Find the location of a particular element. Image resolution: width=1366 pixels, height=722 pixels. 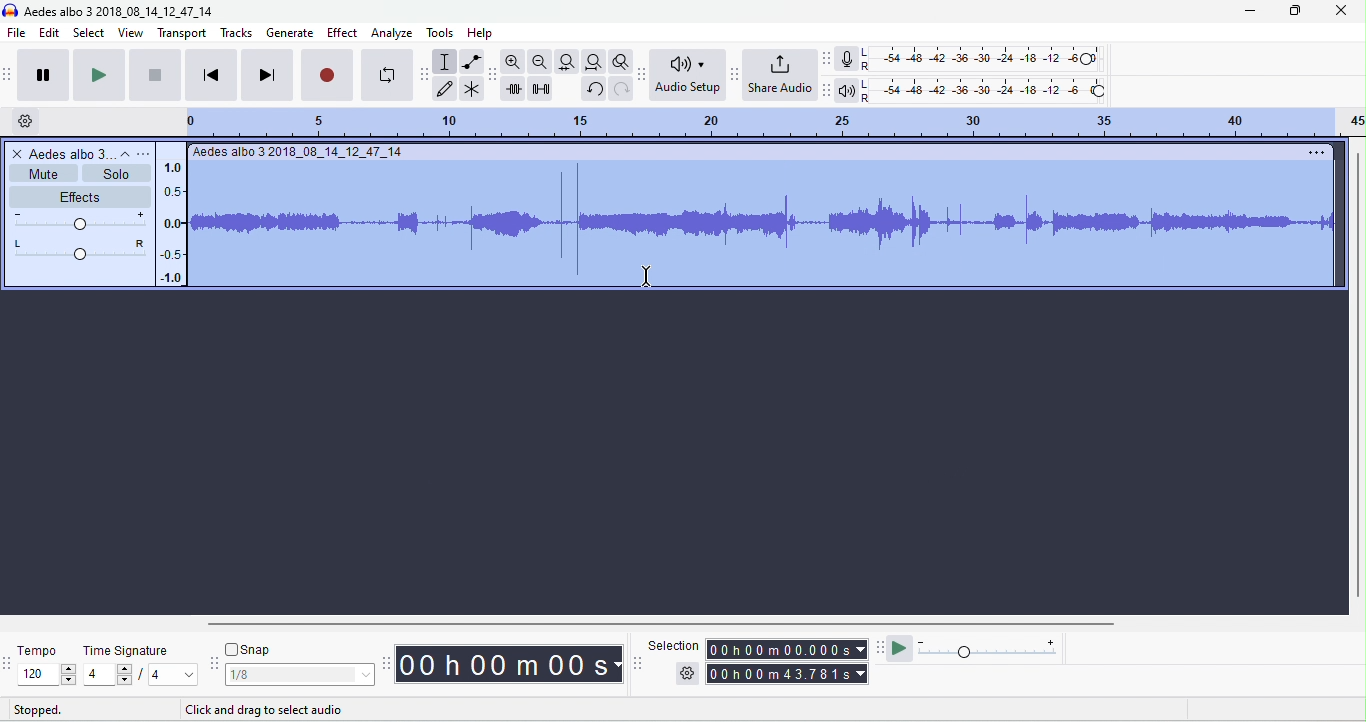

playback speed is located at coordinates (991, 649).